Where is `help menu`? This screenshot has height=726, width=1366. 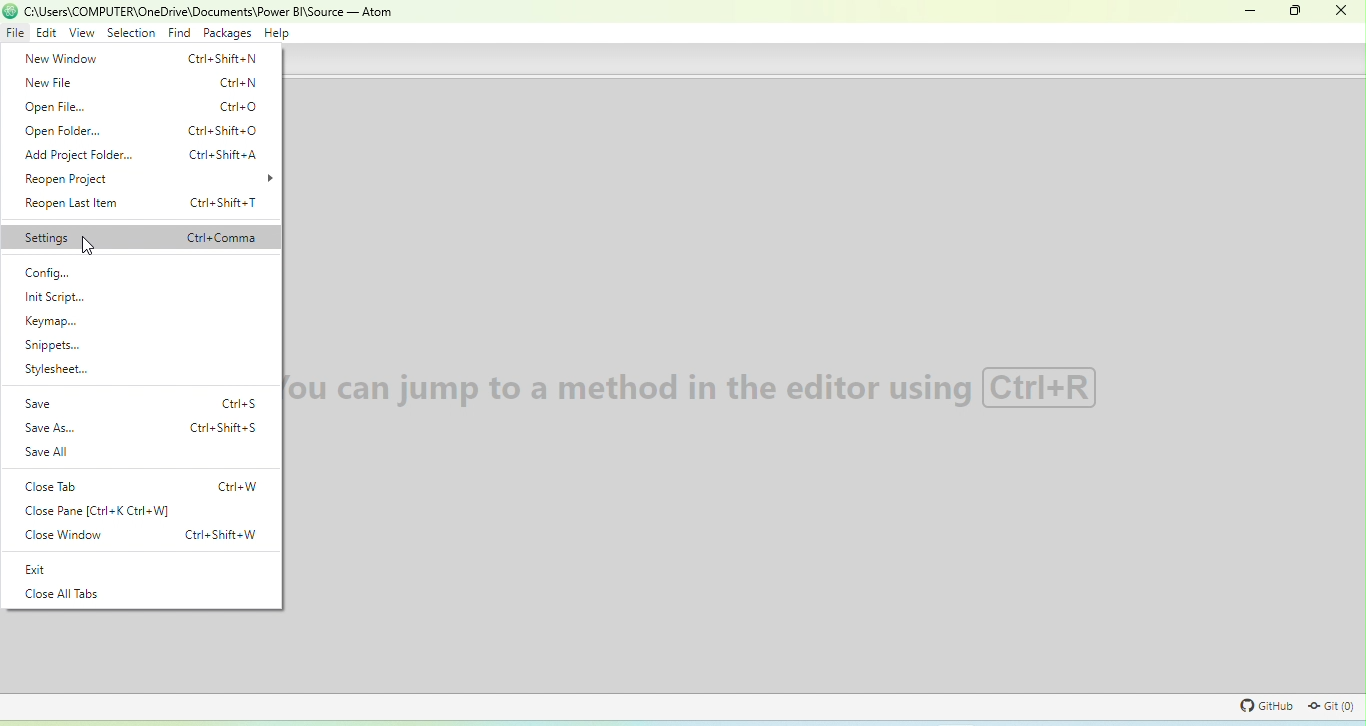 help menu is located at coordinates (276, 33).